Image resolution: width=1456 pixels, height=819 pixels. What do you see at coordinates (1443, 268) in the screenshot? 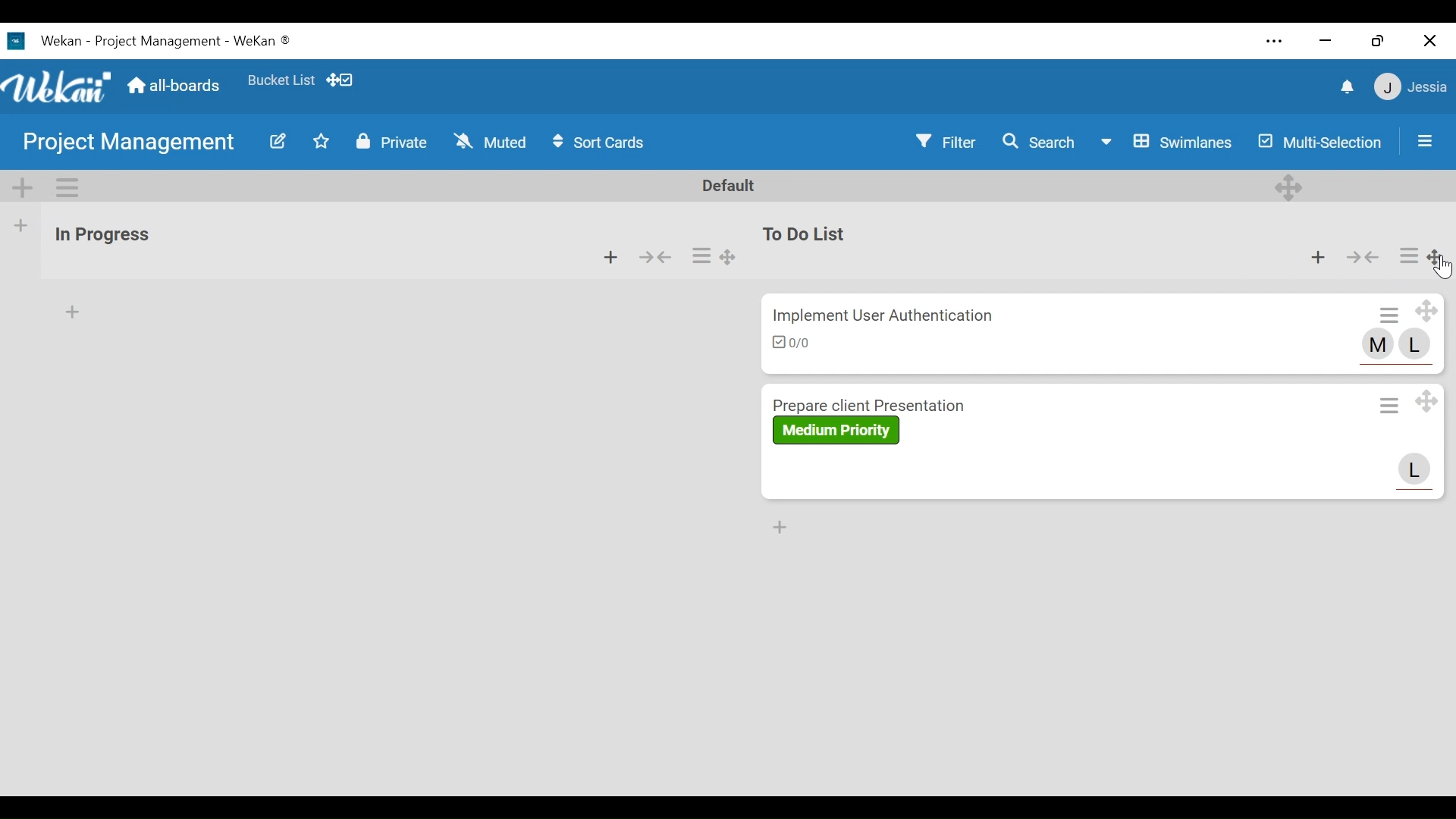
I see `Cursor` at bounding box center [1443, 268].